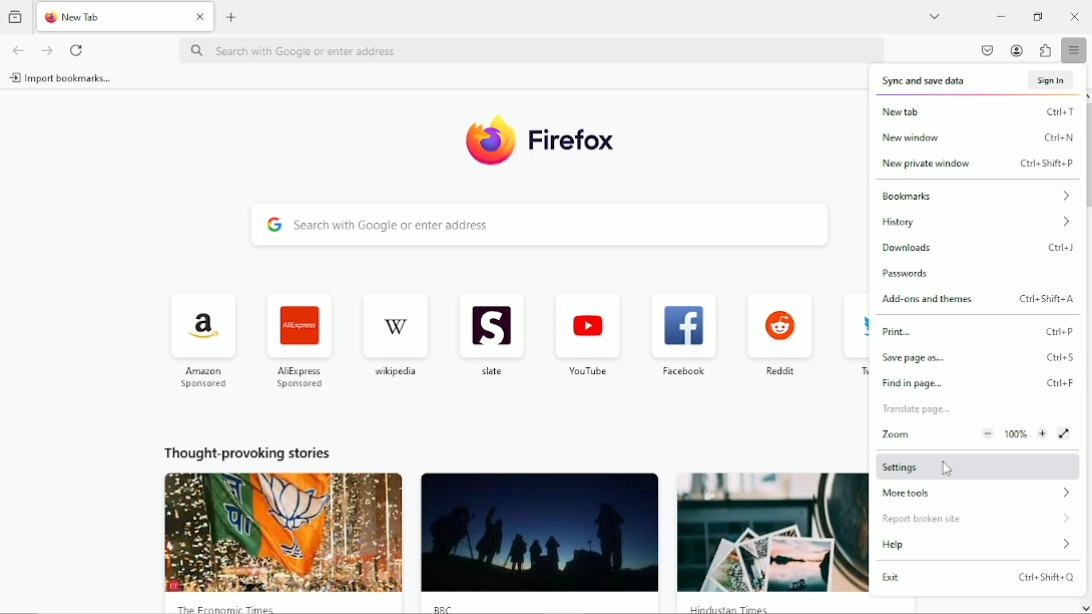 This screenshot has width=1092, height=614. I want to click on save page as, so click(911, 358).